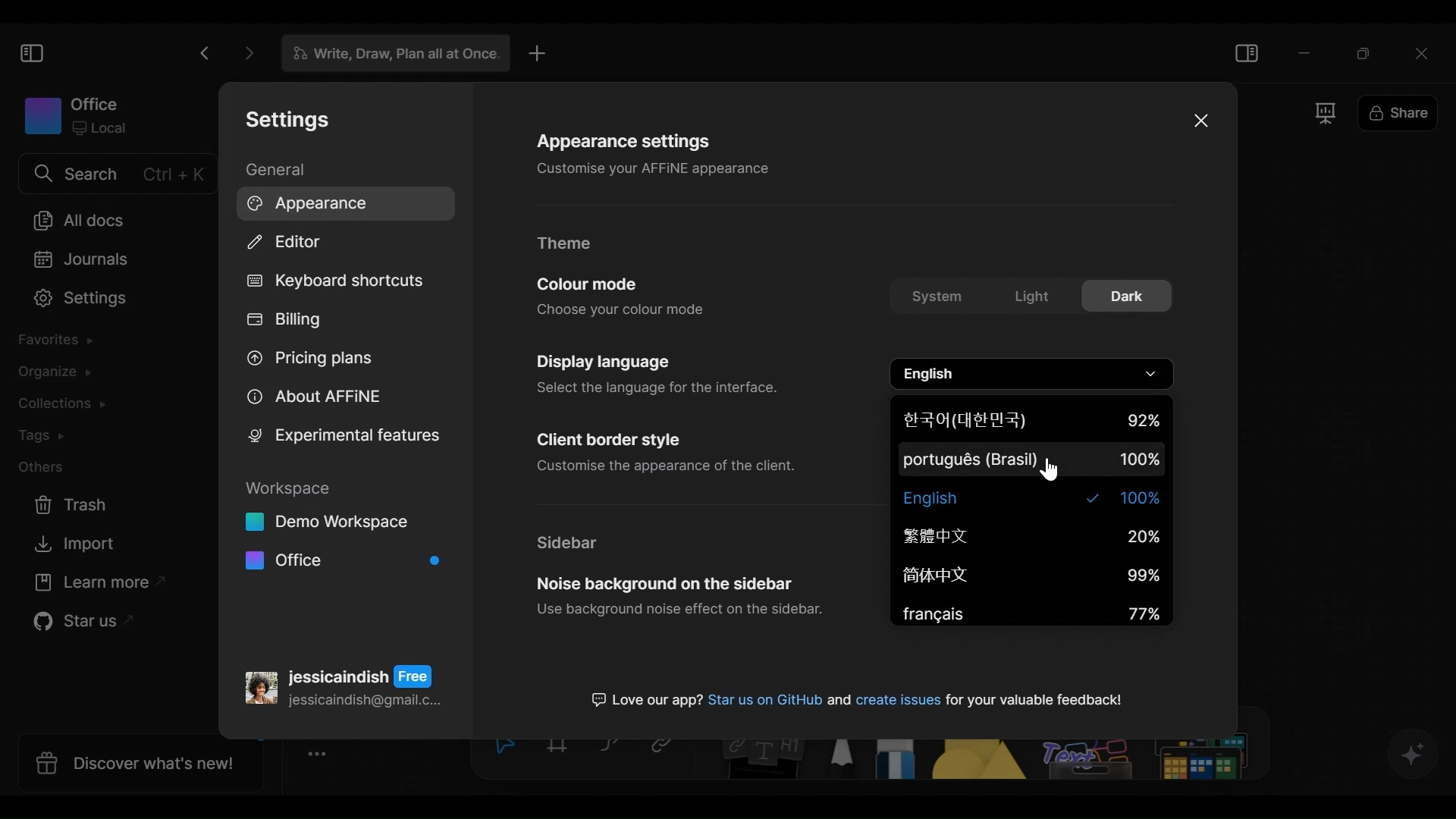 This screenshot has height=819, width=1456. What do you see at coordinates (287, 322) in the screenshot?
I see `Billing` at bounding box center [287, 322].